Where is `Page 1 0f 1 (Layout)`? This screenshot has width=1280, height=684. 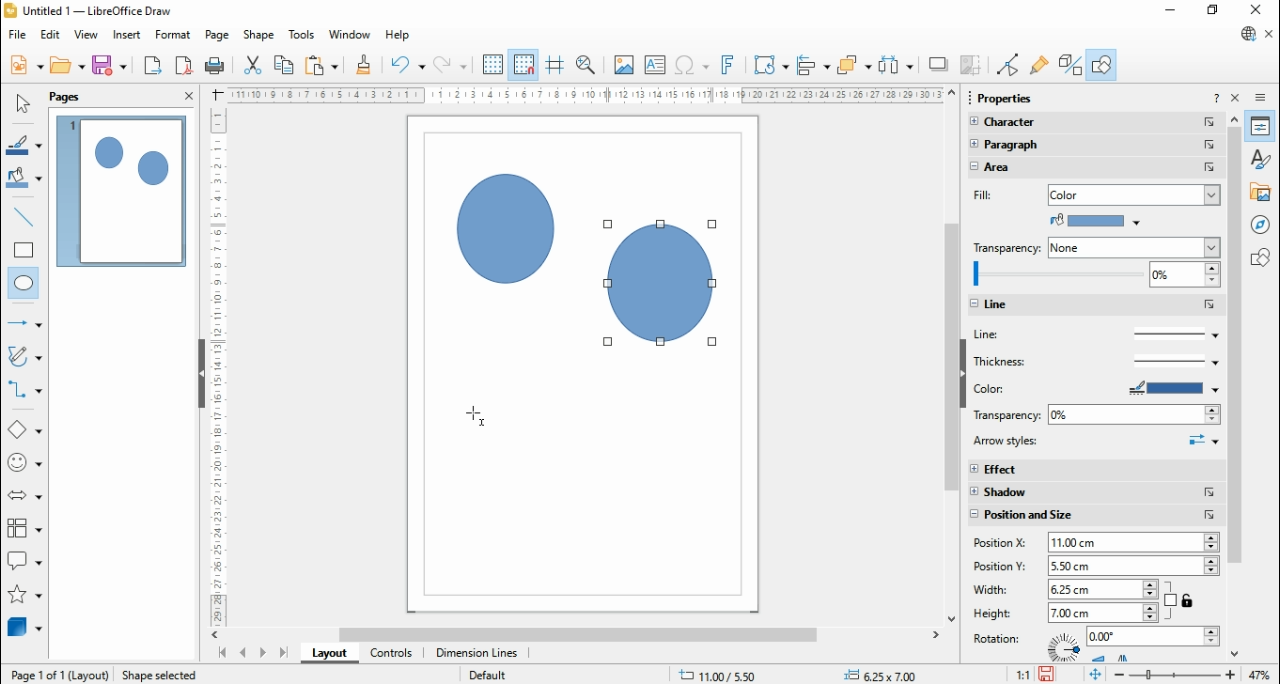
Page 1 0f 1 (Layout) is located at coordinates (58, 674).